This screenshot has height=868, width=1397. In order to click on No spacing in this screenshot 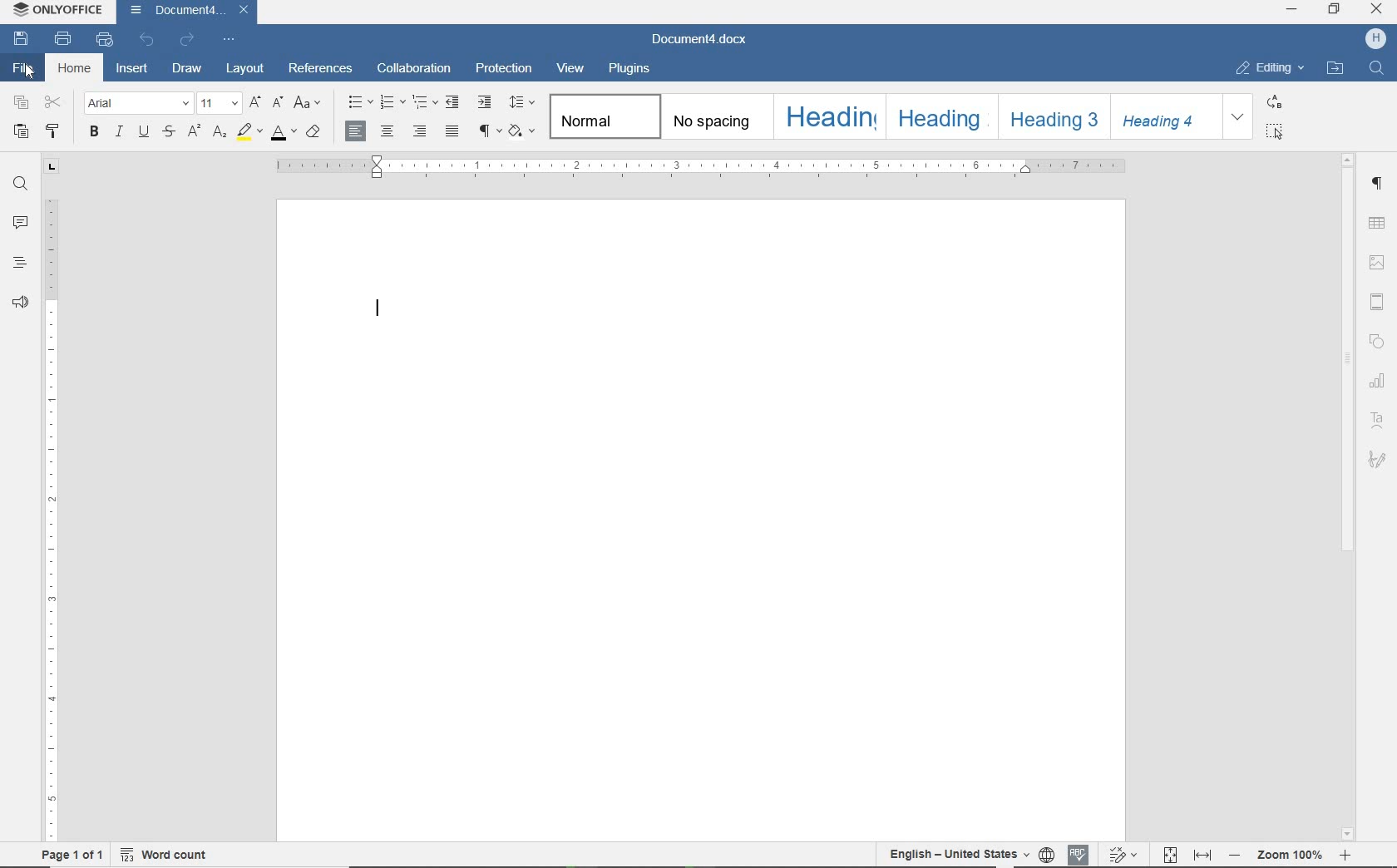, I will do `click(718, 118)`.